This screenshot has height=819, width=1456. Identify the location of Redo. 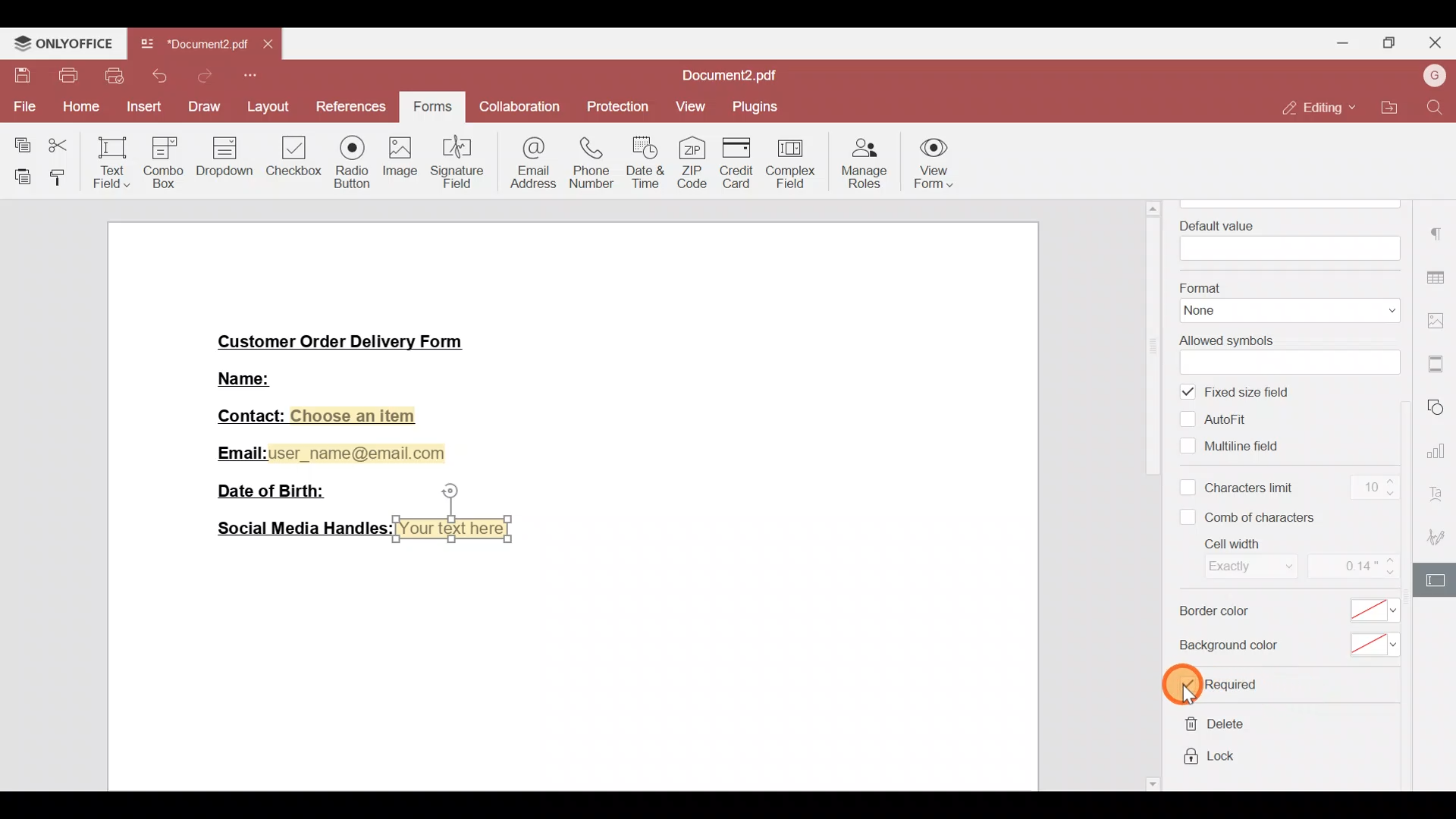
(202, 76).